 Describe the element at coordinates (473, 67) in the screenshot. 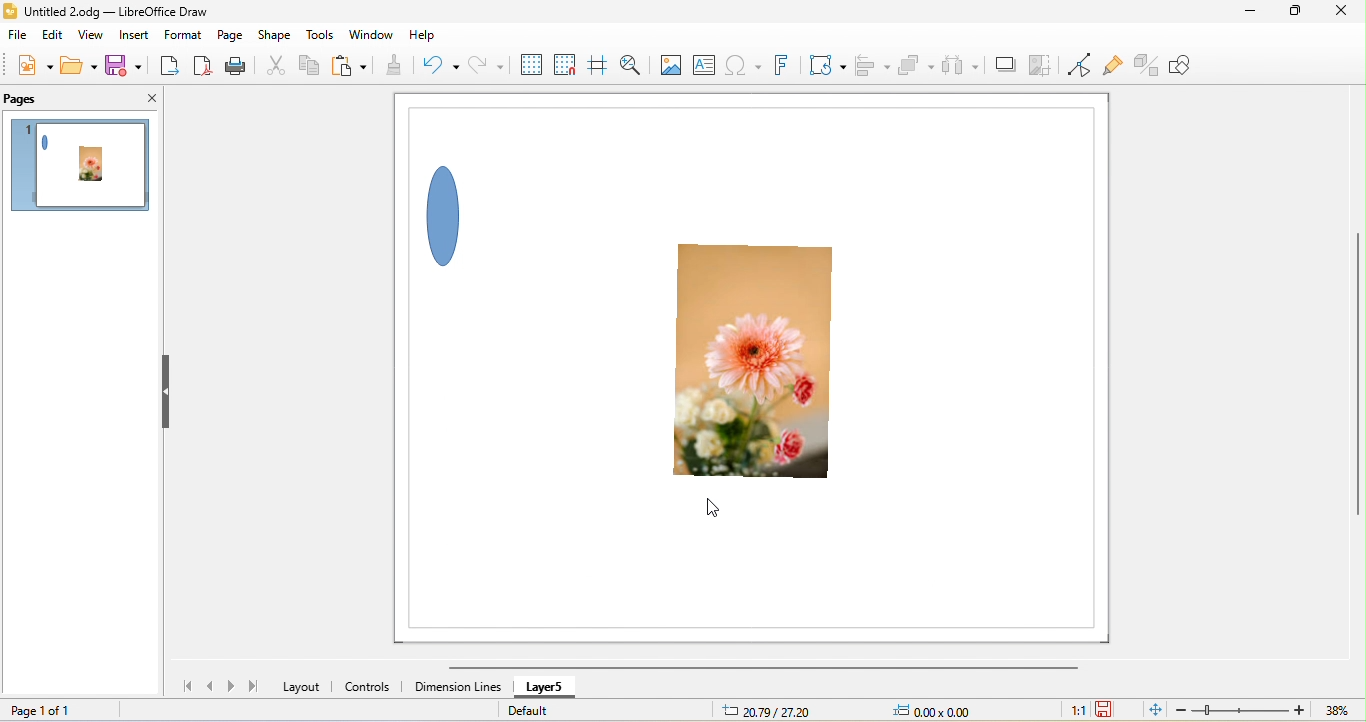

I see `redo` at that location.